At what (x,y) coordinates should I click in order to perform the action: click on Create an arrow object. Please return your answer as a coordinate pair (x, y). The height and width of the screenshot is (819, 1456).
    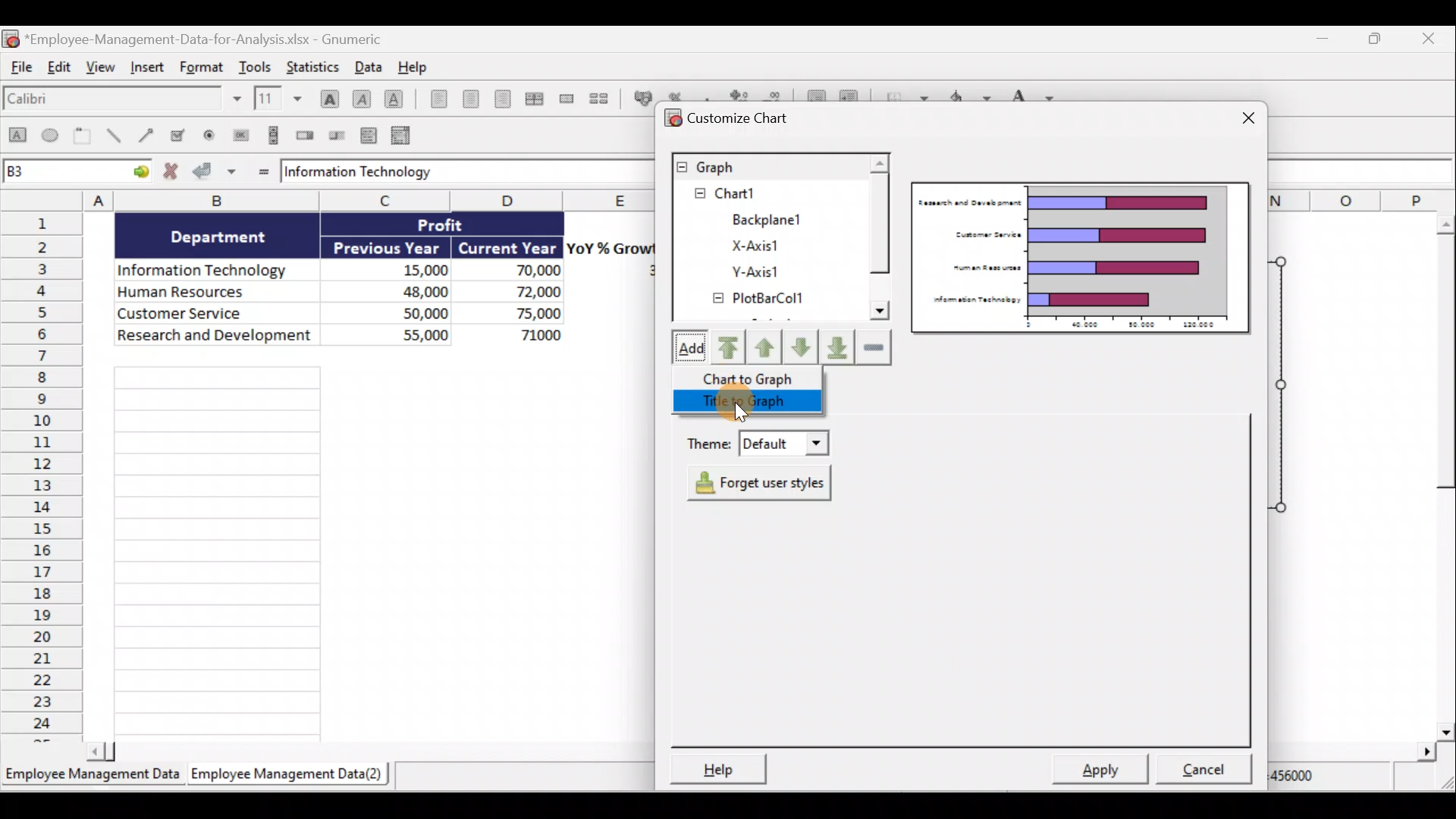
    Looking at the image, I should click on (149, 137).